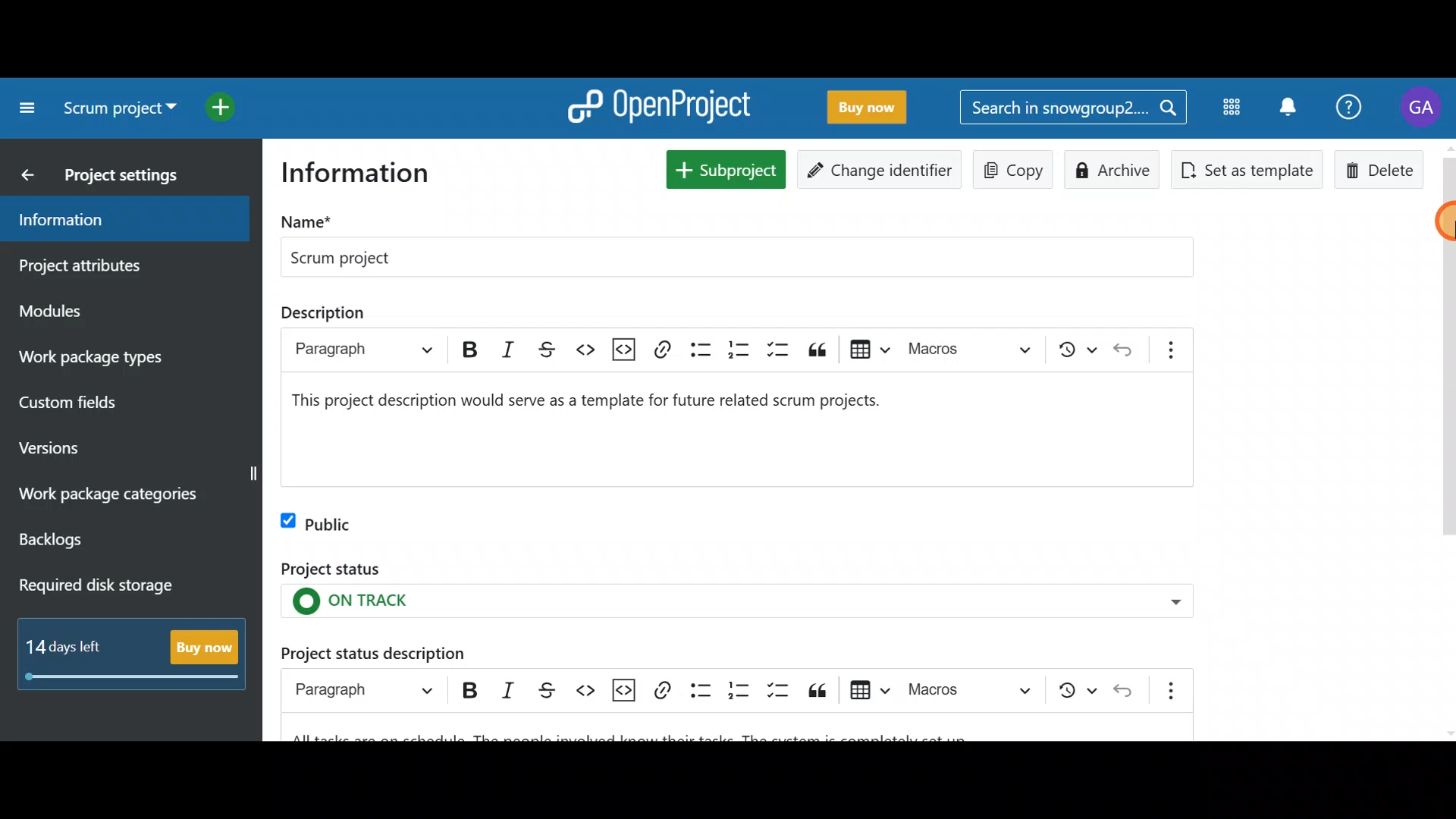  I want to click on paragraph, so click(361, 349).